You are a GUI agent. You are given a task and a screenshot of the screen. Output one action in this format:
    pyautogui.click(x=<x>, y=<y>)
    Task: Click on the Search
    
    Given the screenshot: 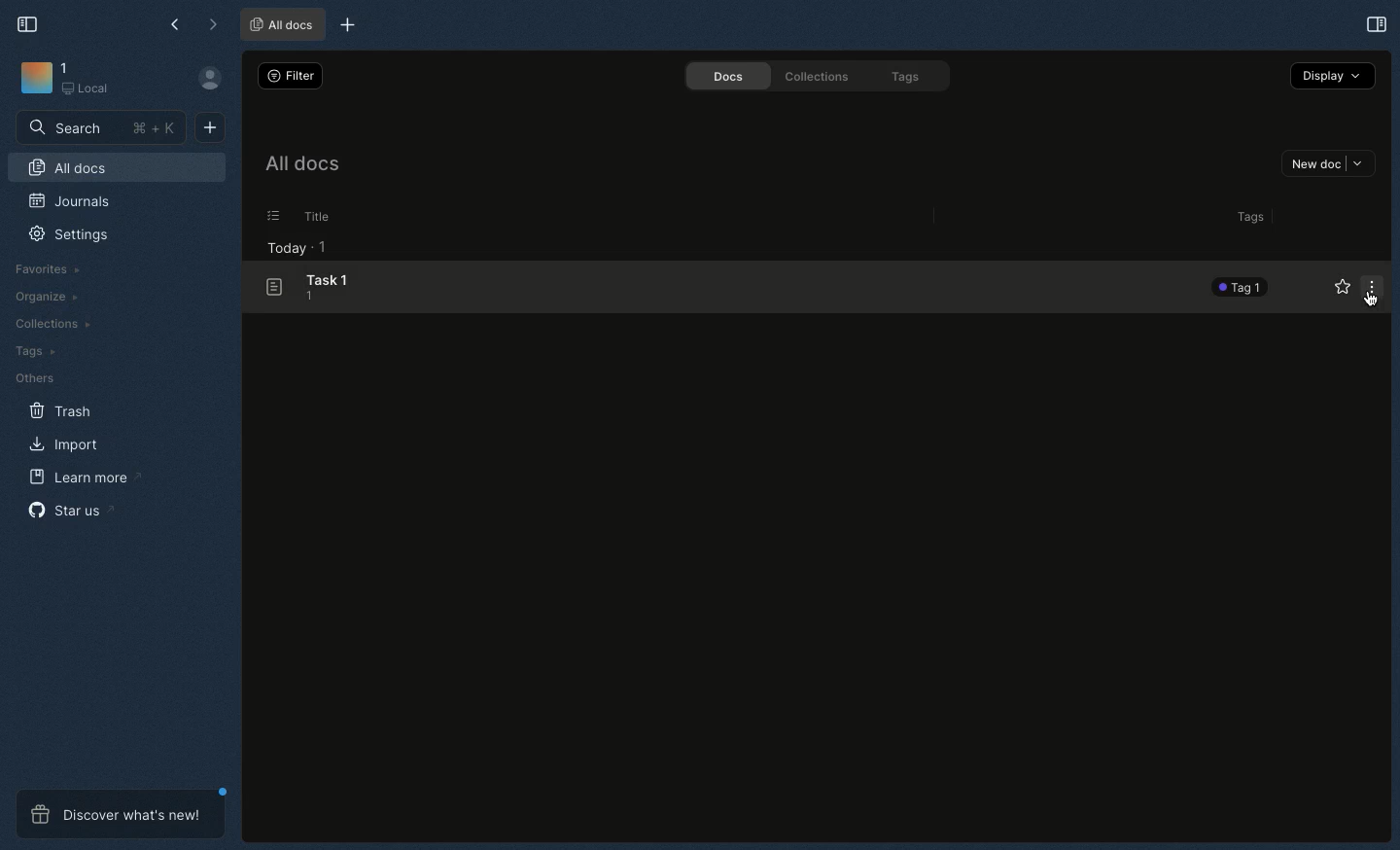 What is the action you would take?
    pyautogui.click(x=97, y=128)
    